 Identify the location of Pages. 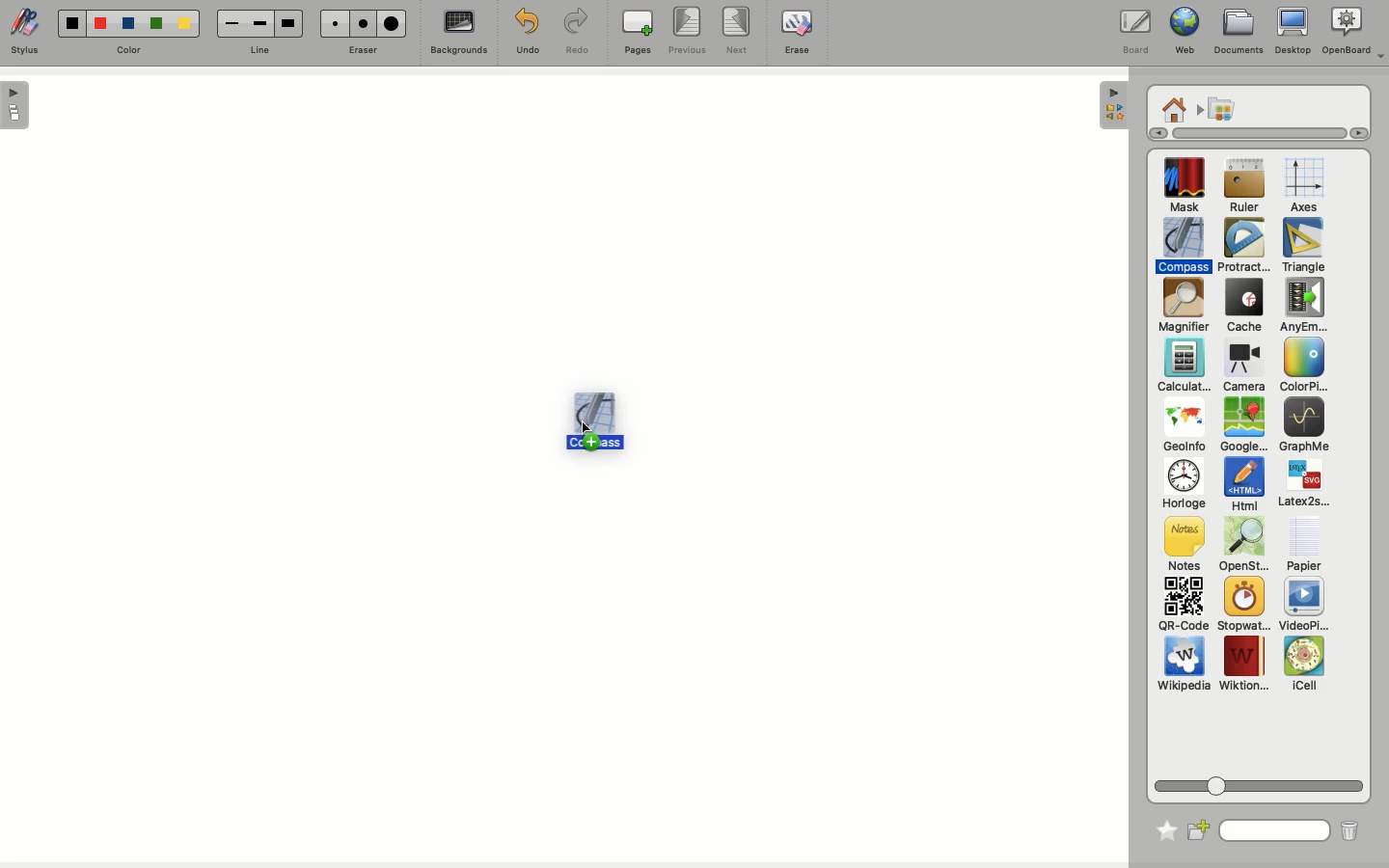
(638, 34).